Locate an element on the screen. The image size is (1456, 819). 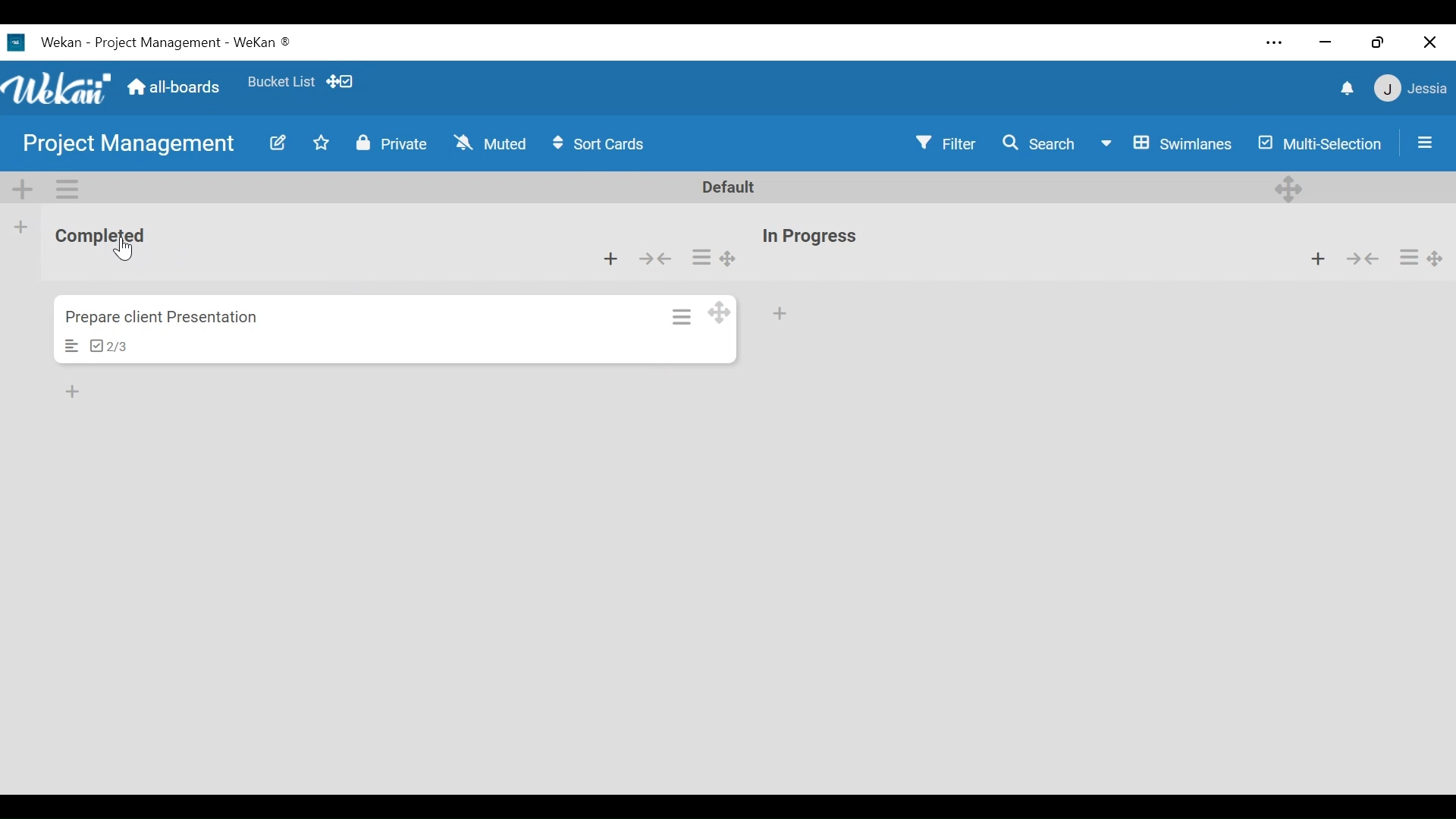
Description is located at coordinates (74, 346).